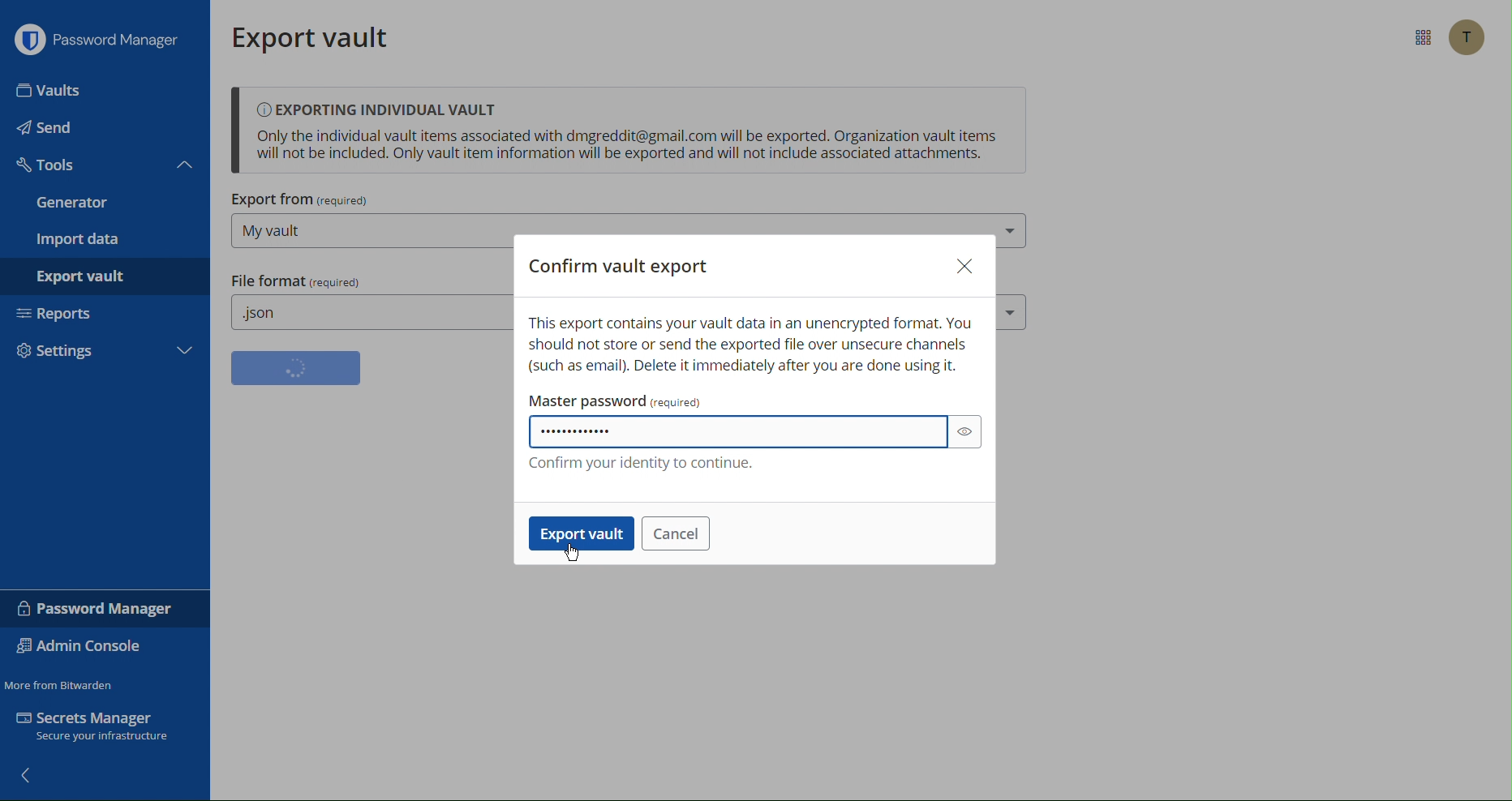 The width and height of the screenshot is (1512, 801). What do you see at coordinates (73, 203) in the screenshot?
I see `Generator` at bounding box center [73, 203].